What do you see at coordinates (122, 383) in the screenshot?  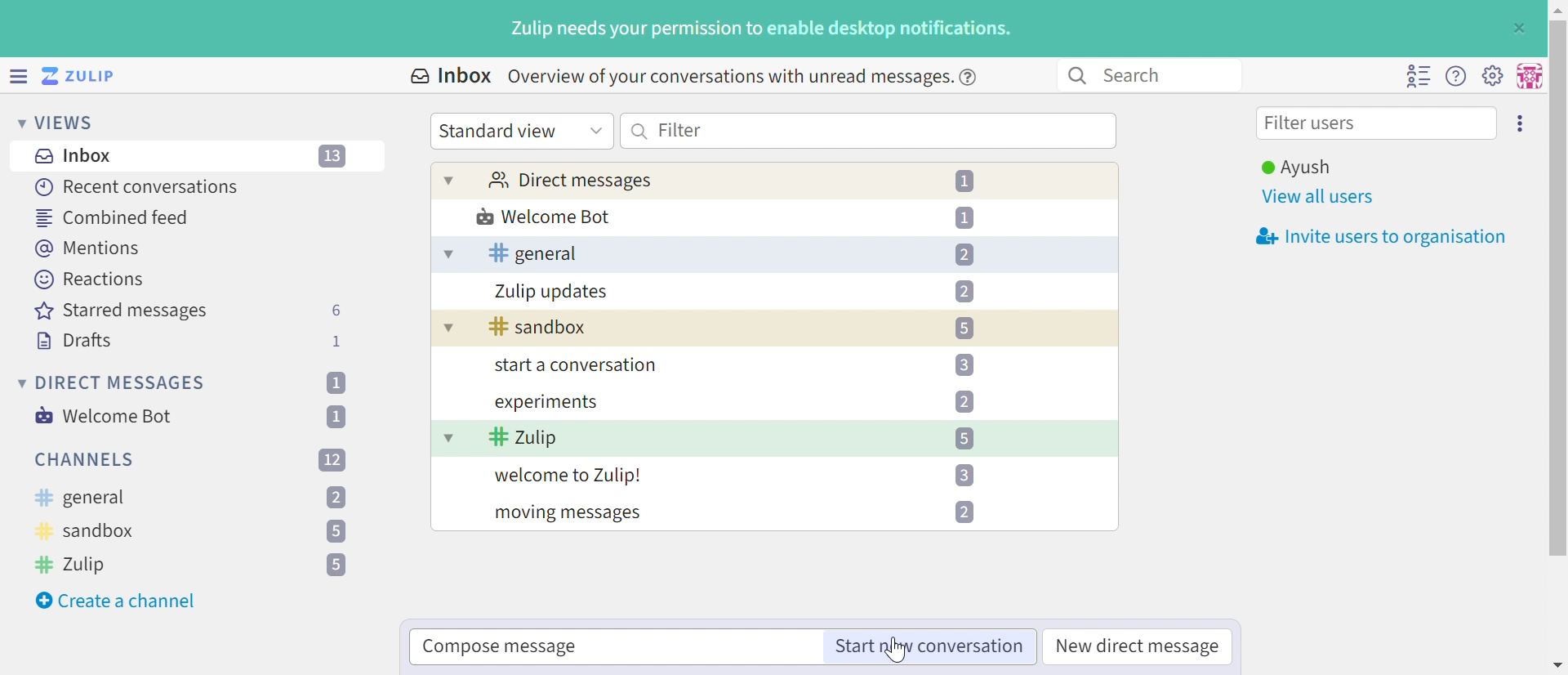 I see `DIRECT MESSAGES` at bounding box center [122, 383].